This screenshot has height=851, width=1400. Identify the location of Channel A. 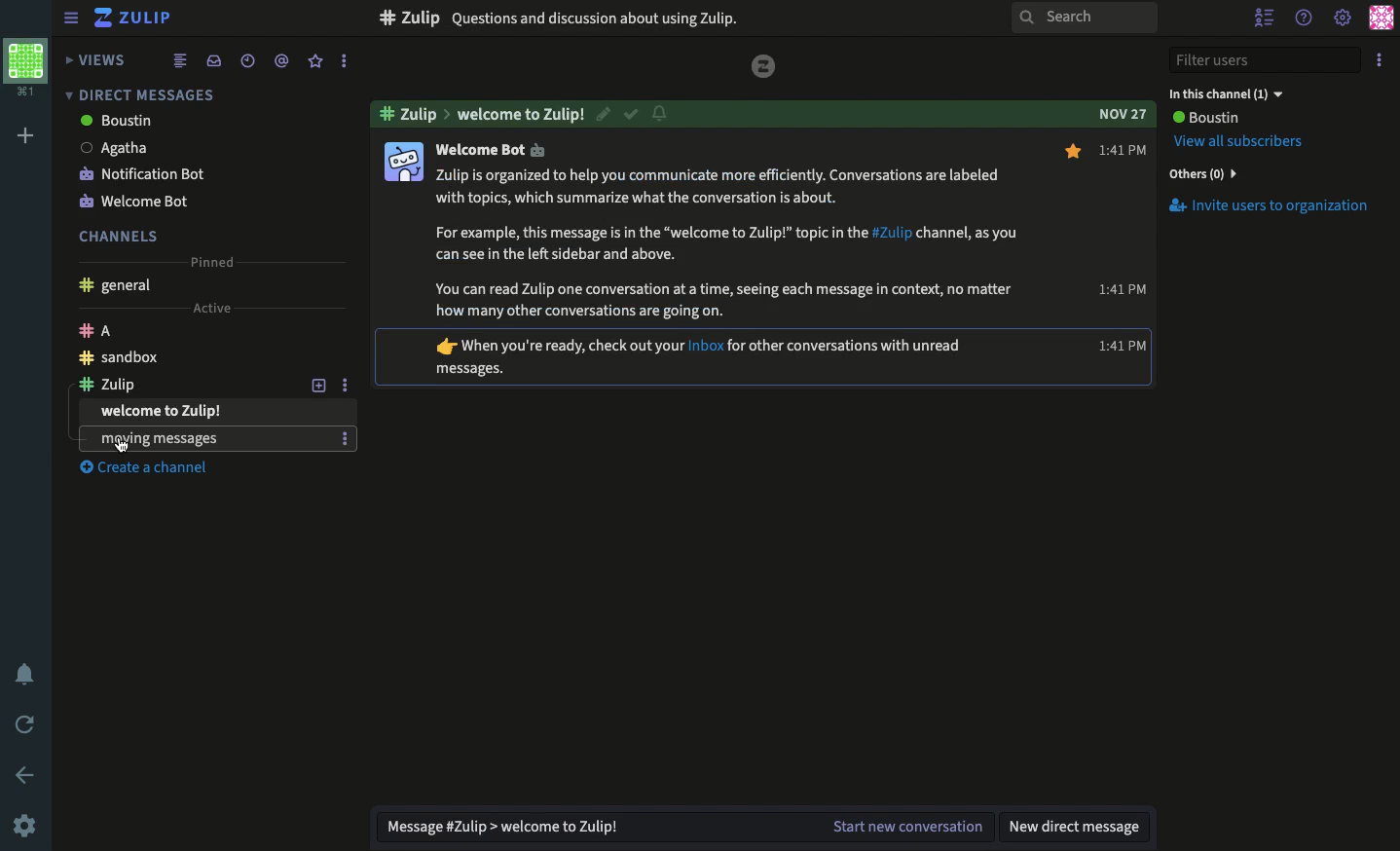
(183, 330).